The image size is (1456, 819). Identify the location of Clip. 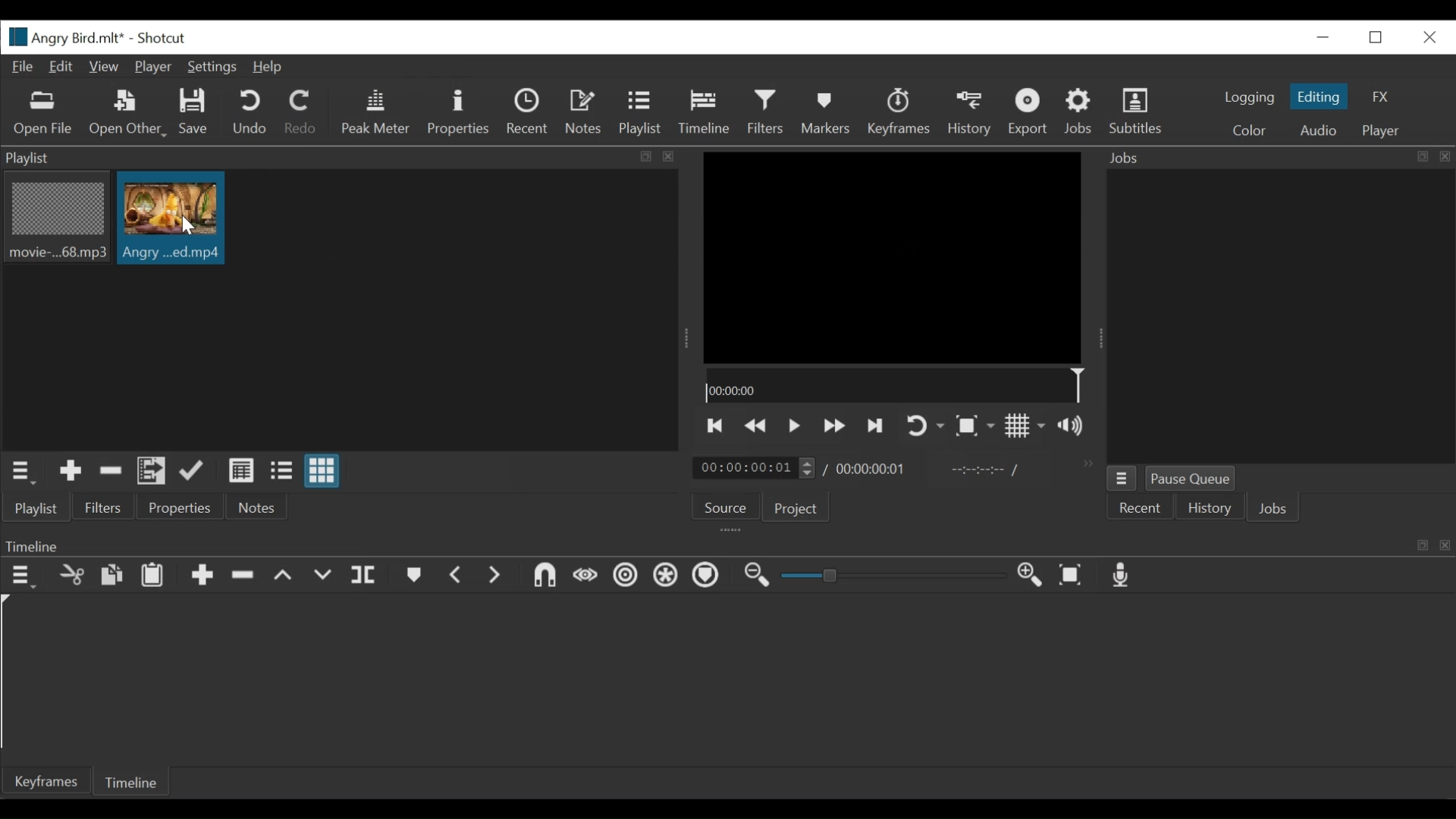
(55, 219).